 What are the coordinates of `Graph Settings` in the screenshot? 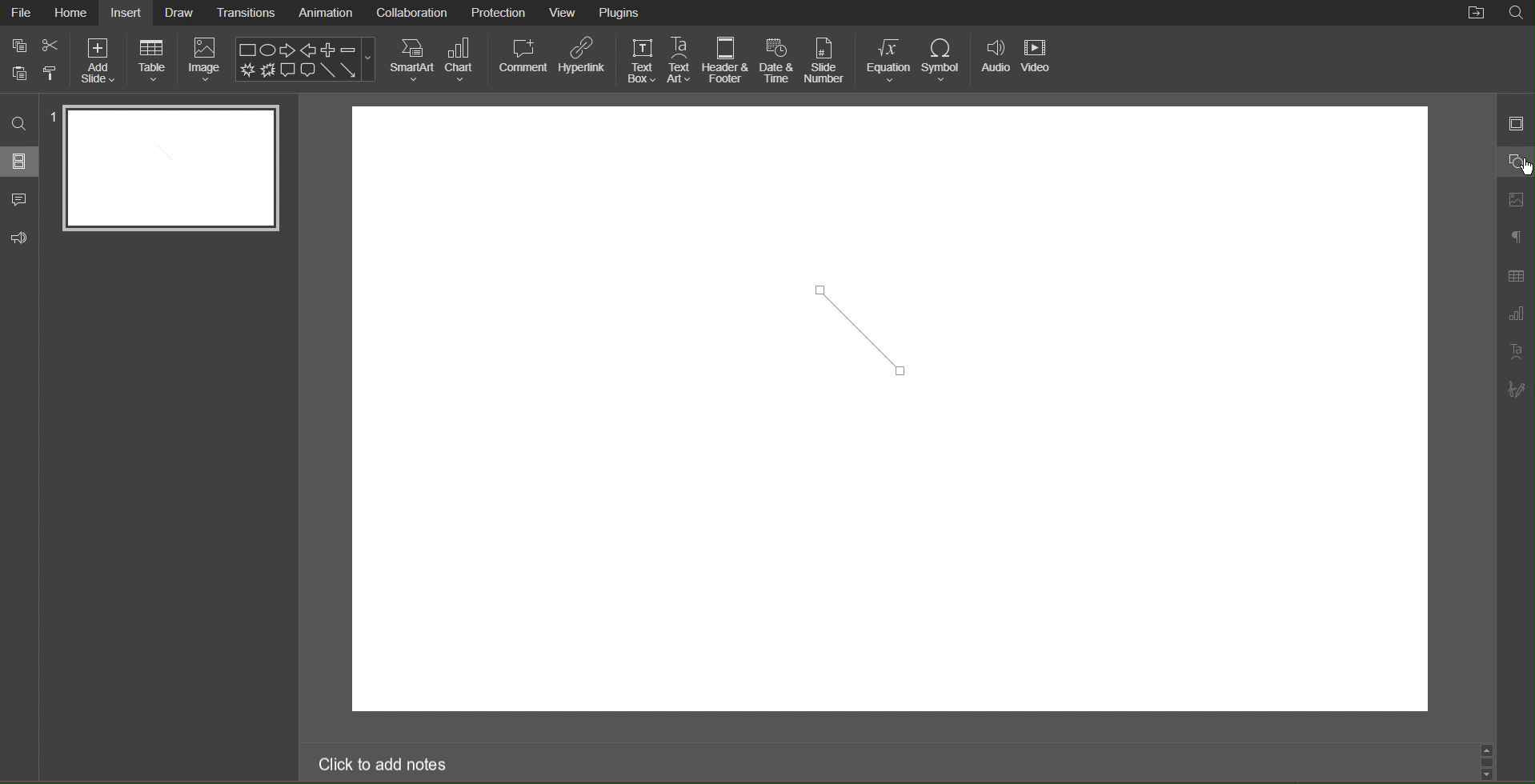 It's located at (1515, 314).